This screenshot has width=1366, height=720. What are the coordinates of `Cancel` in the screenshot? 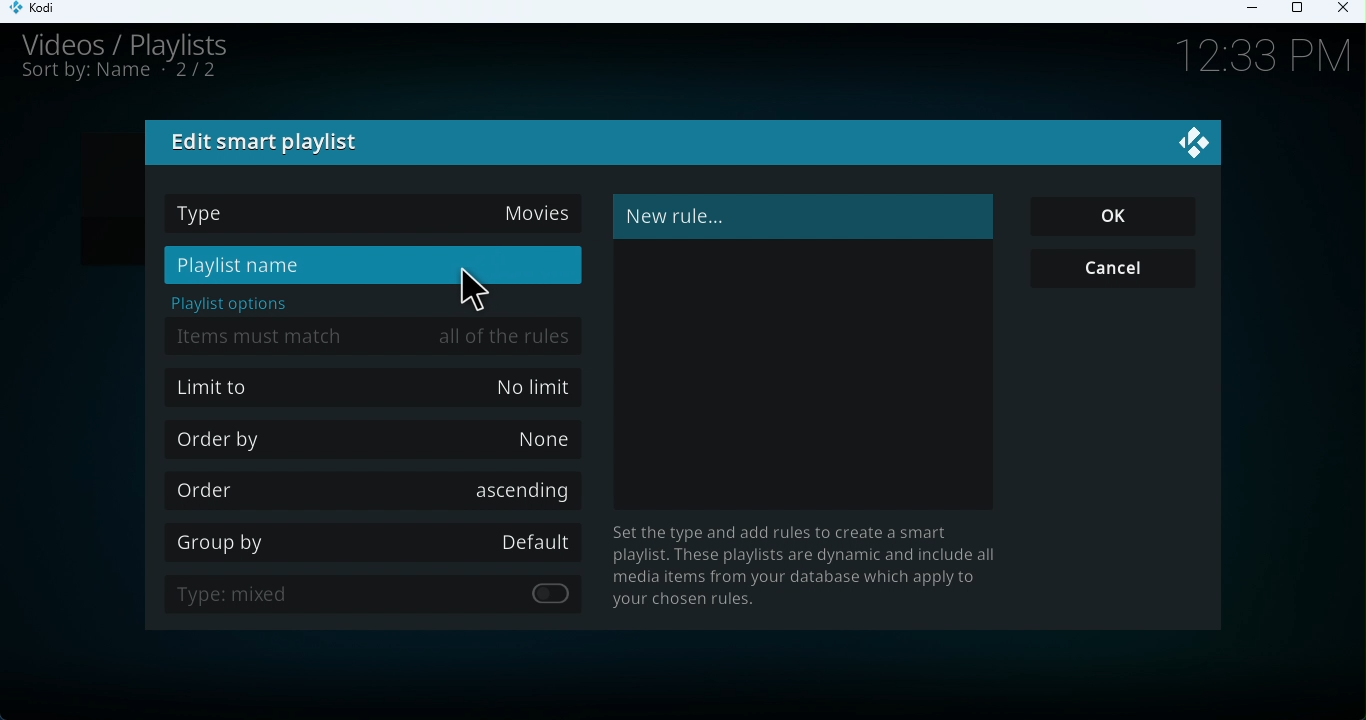 It's located at (1122, 271).